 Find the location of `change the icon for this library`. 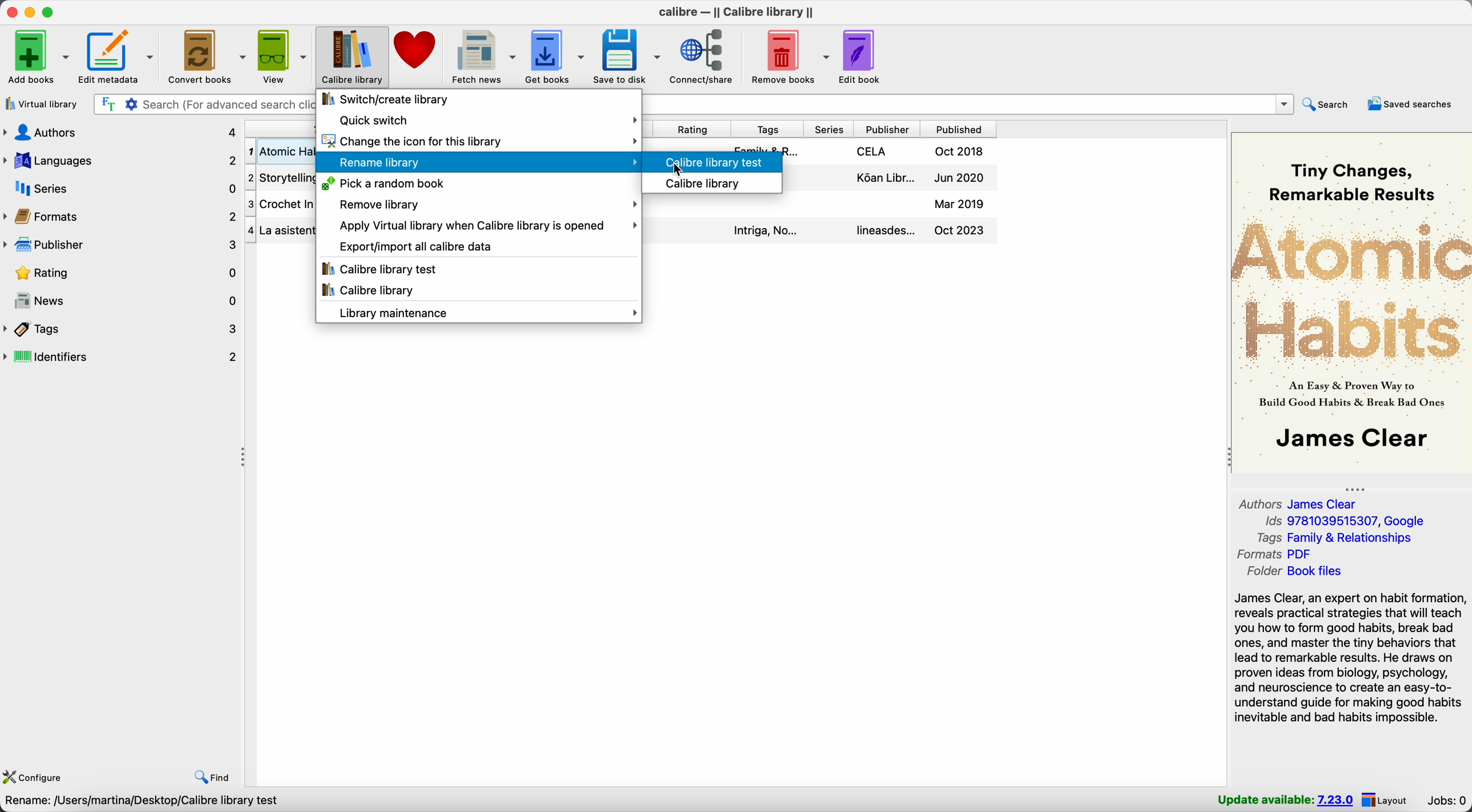

change the icon for this library is located at coordinates (477, 140).